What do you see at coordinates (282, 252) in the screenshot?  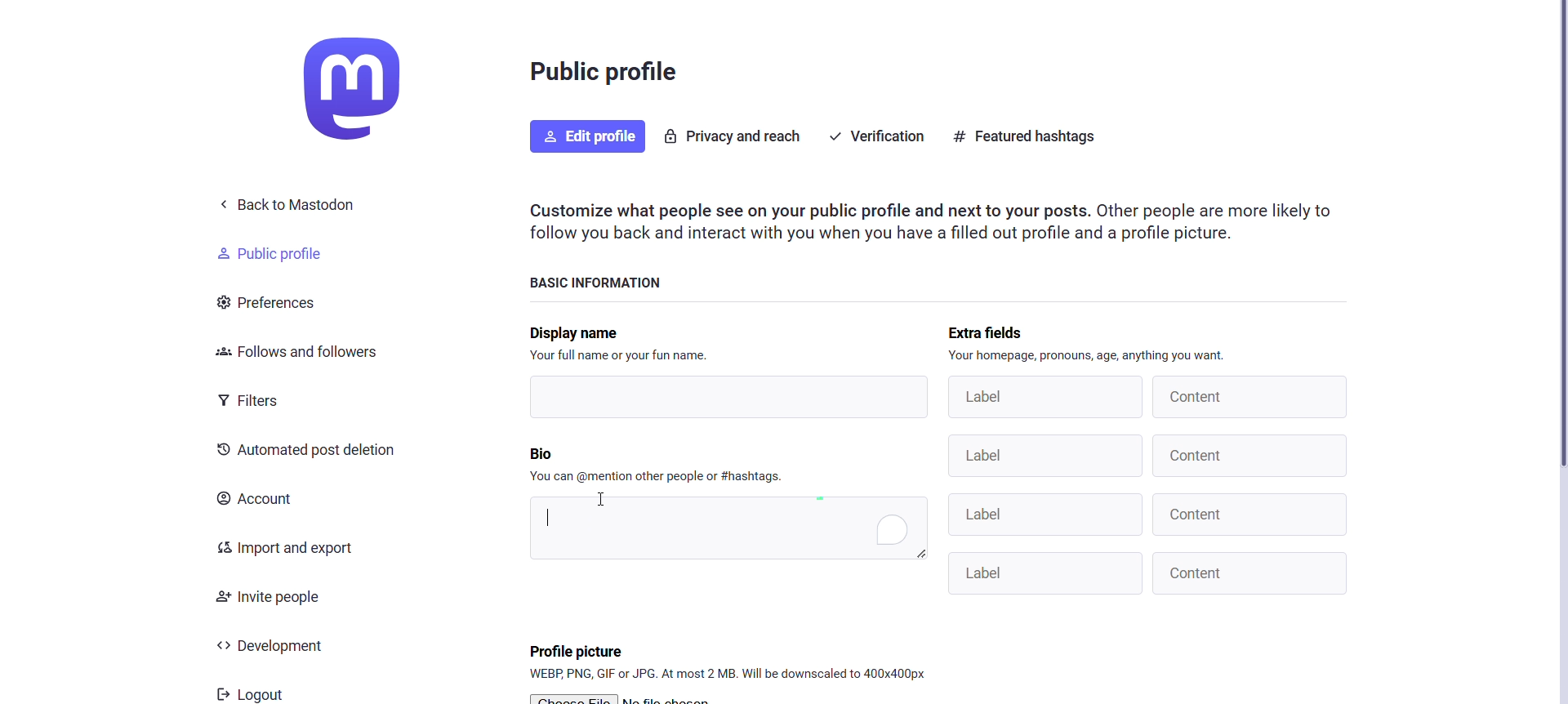 I see `Public Profile` at bounding box center [282, 252].